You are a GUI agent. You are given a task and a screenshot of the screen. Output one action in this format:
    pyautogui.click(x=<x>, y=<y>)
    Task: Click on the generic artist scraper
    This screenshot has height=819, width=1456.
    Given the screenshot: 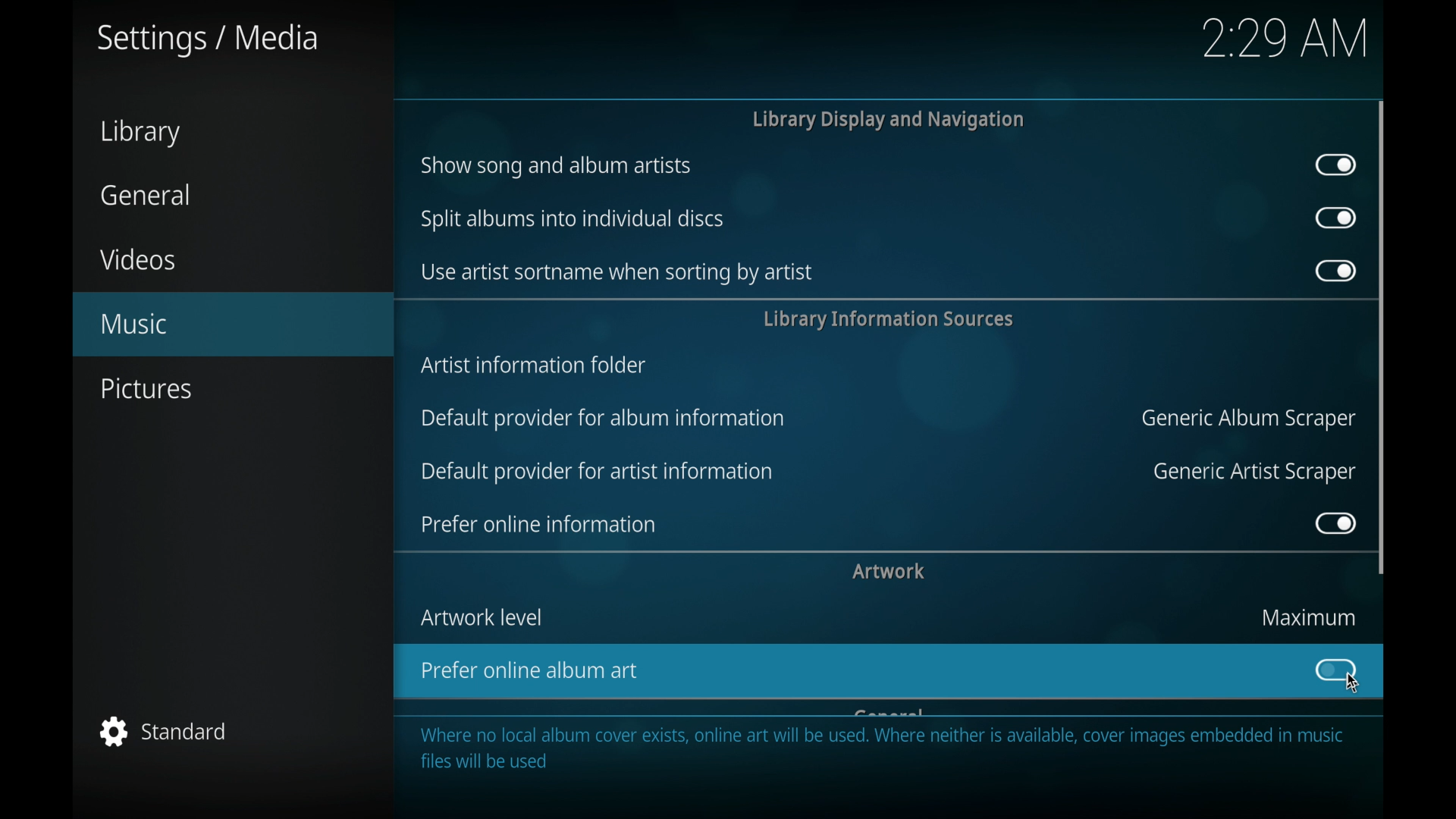 What is the action you would take?
    pyautogui.click(x=1252, y=472)
    